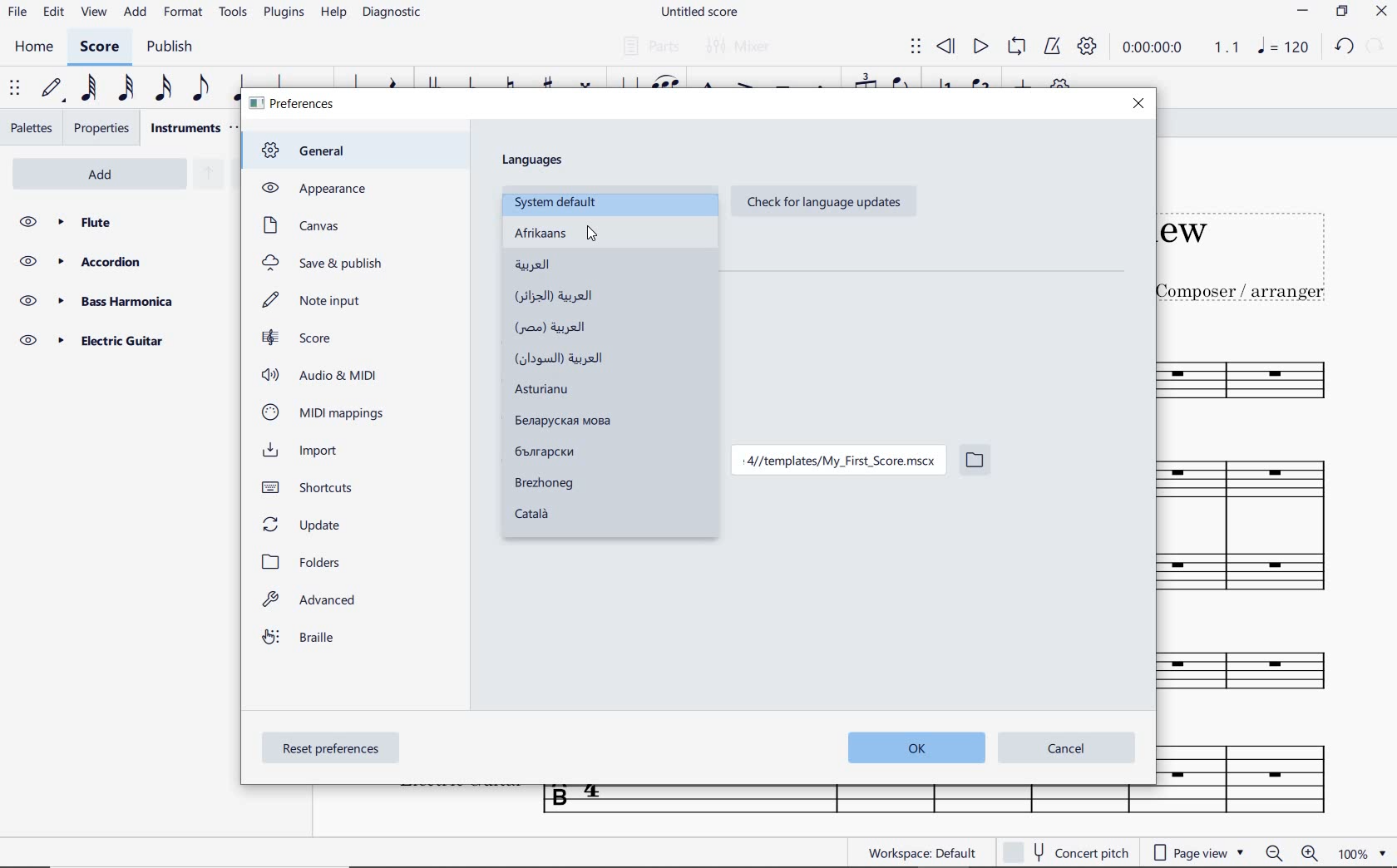  I want to click on publish, so click(173, 48).